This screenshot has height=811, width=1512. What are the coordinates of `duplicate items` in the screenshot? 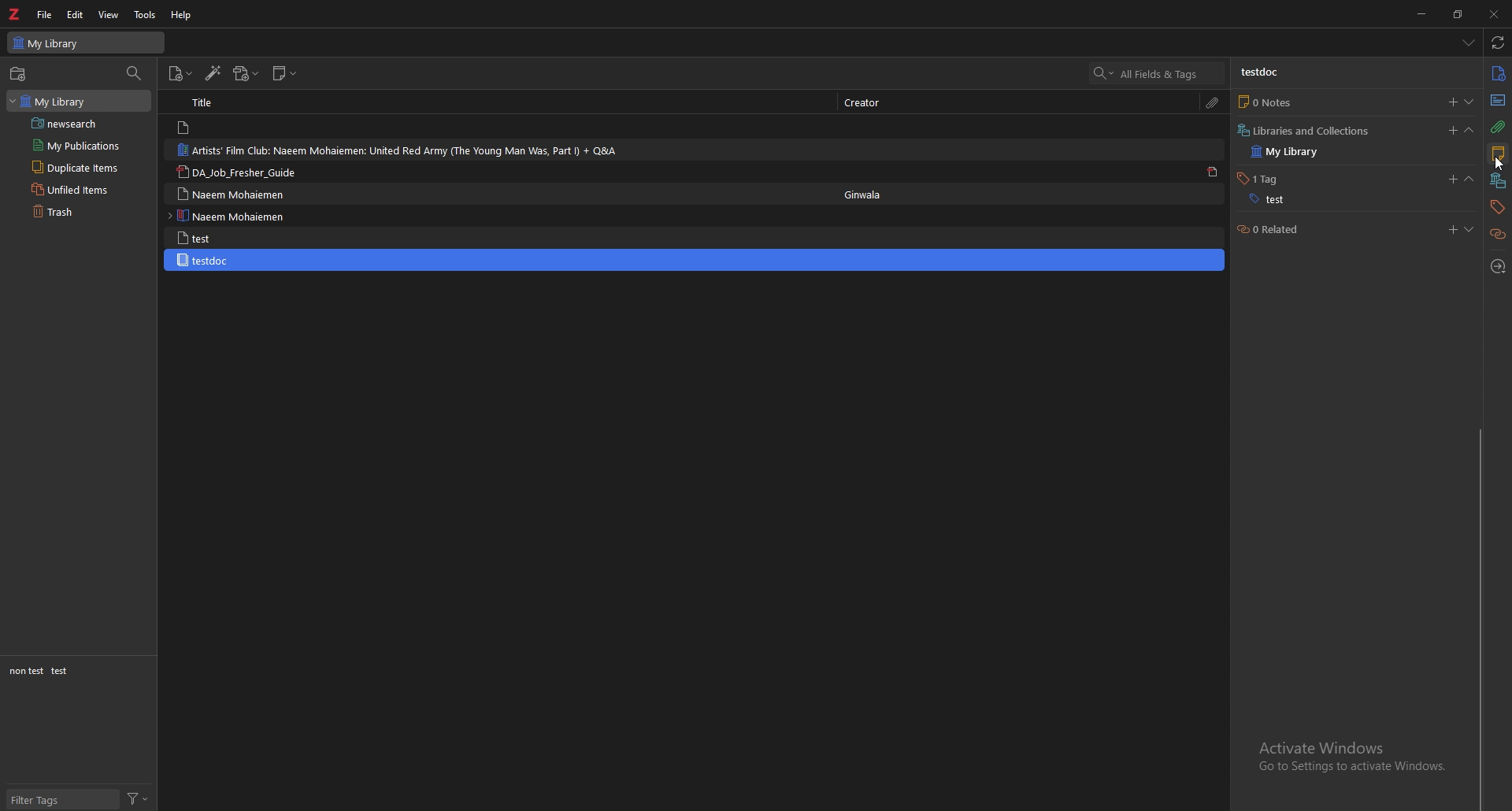 It's located at (81, 168).